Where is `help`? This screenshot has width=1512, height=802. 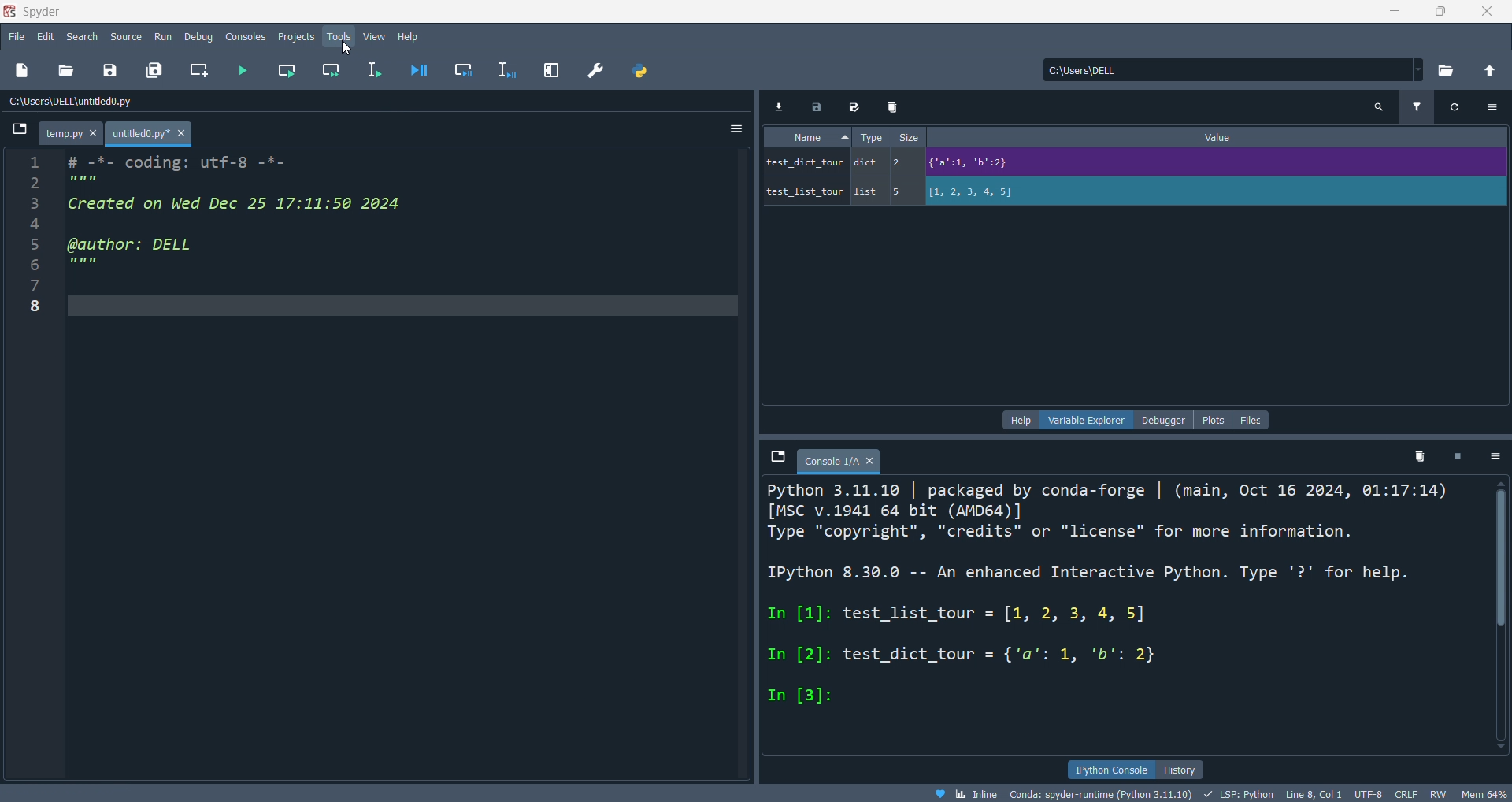
help is located at coordinates (409, 36).